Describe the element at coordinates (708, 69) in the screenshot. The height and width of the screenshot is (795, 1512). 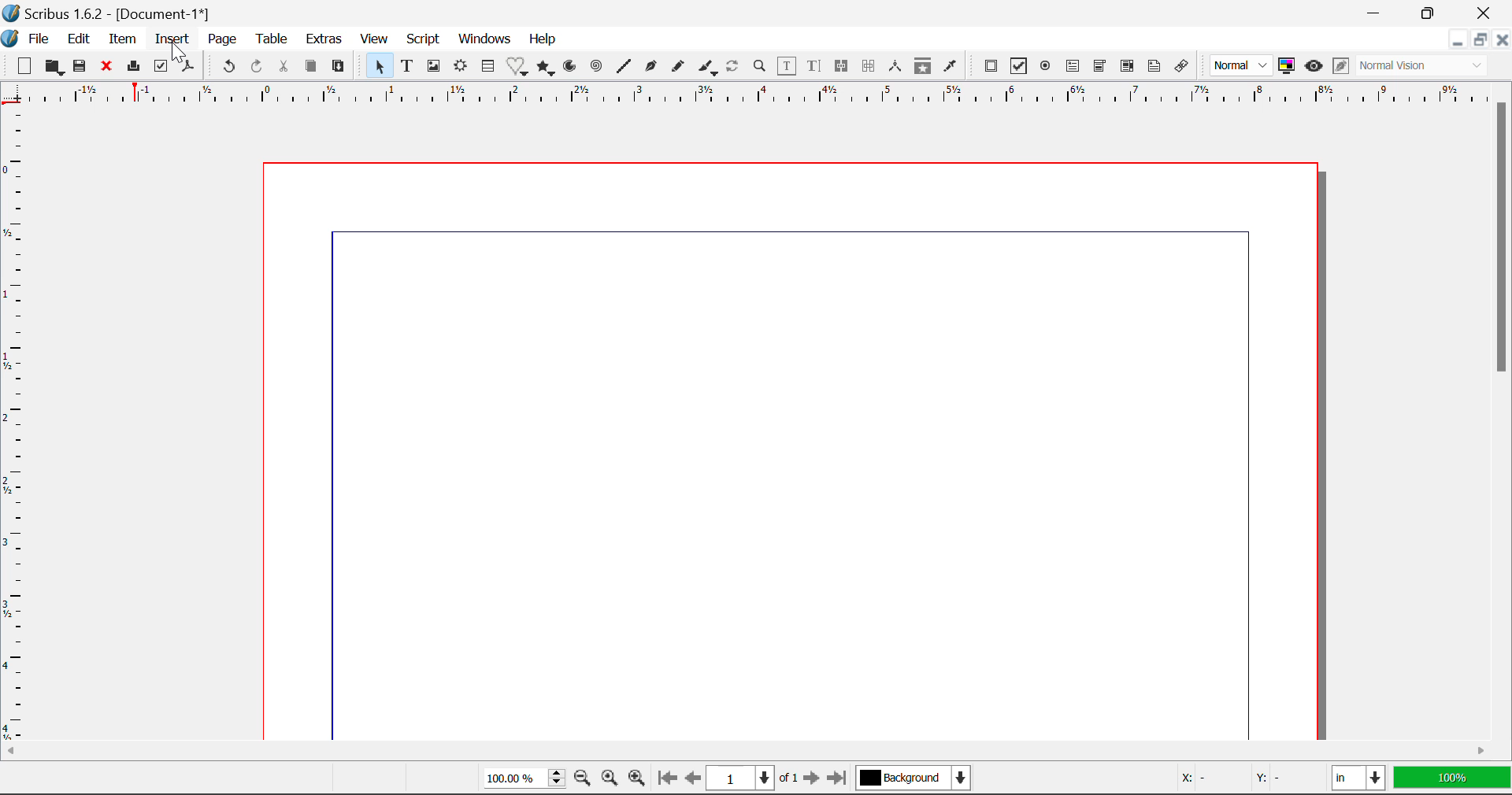
I see `Calligraphic Curve` at that location.